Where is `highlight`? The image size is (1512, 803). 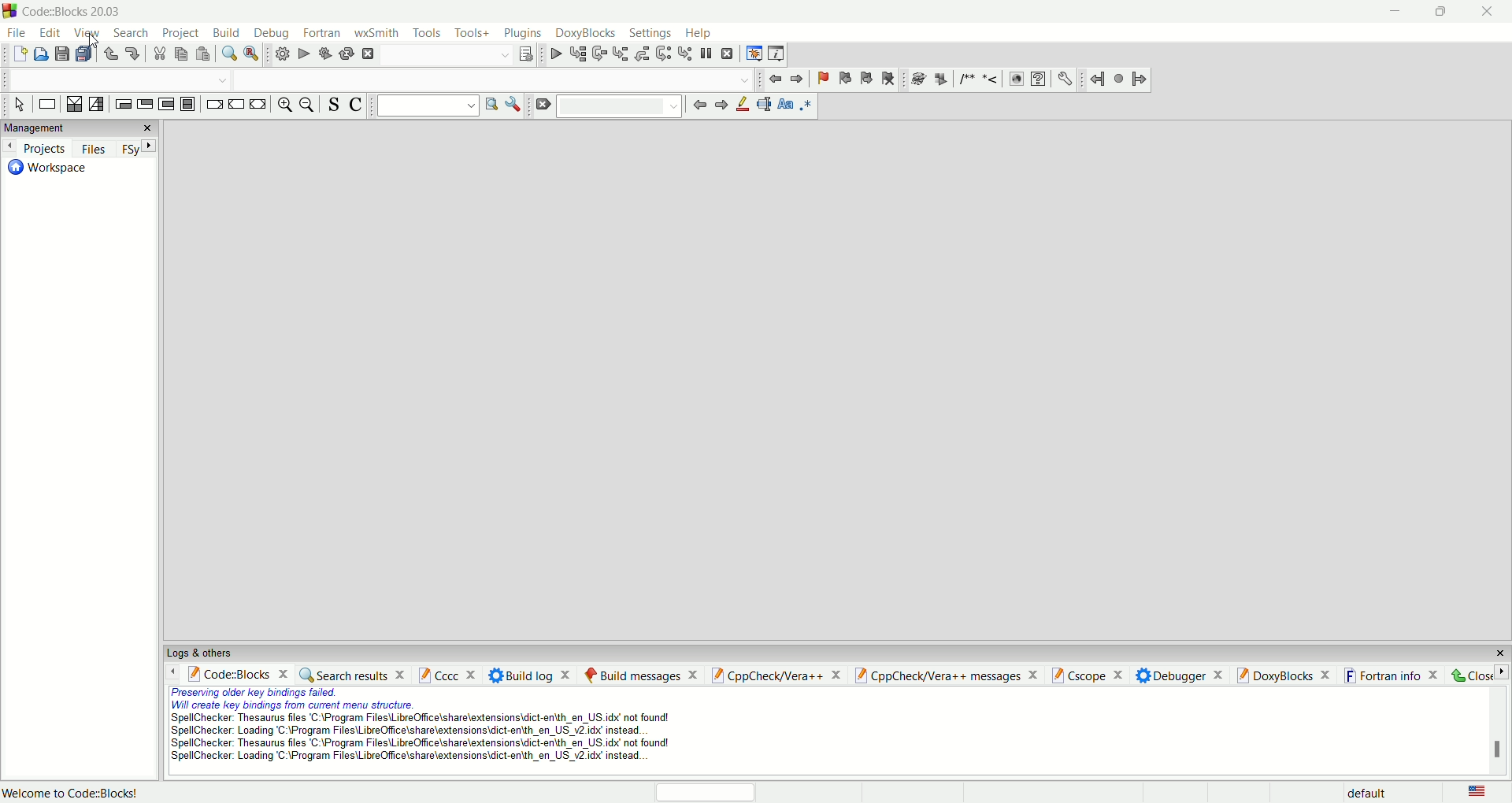
highlight is located at coordinates (743, 106).